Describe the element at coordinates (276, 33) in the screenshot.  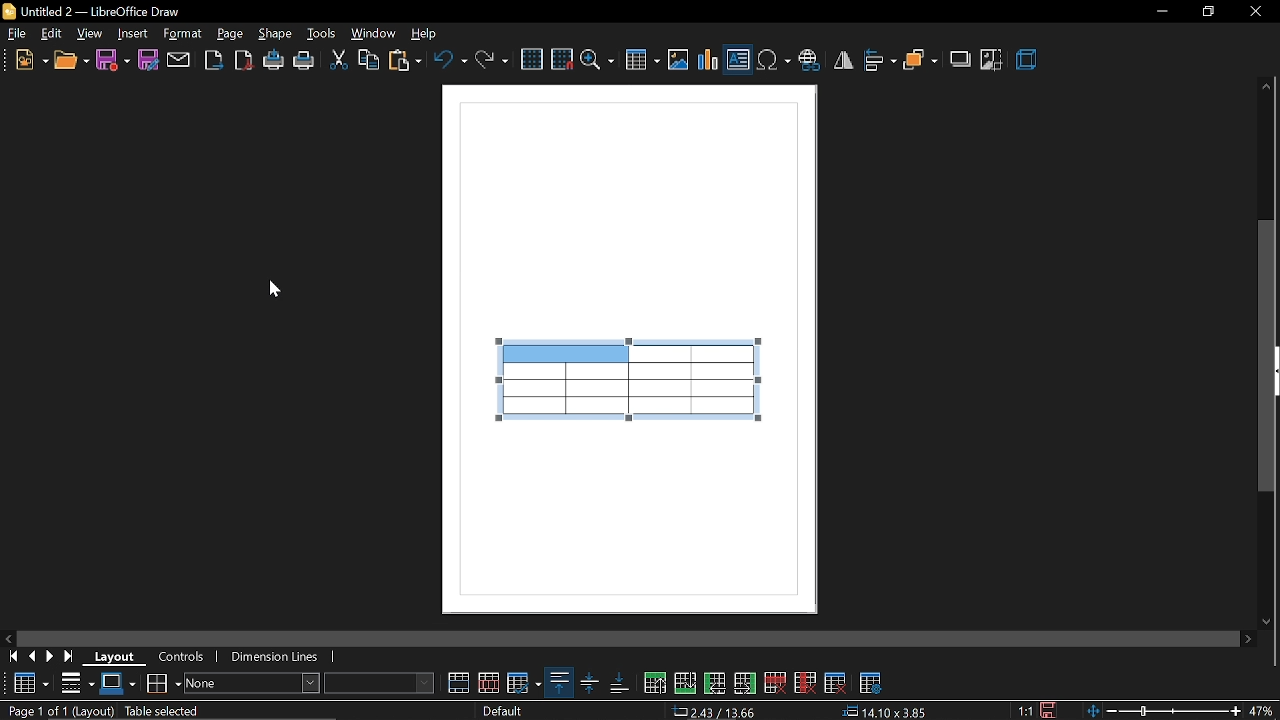
I see `shape` at that location.